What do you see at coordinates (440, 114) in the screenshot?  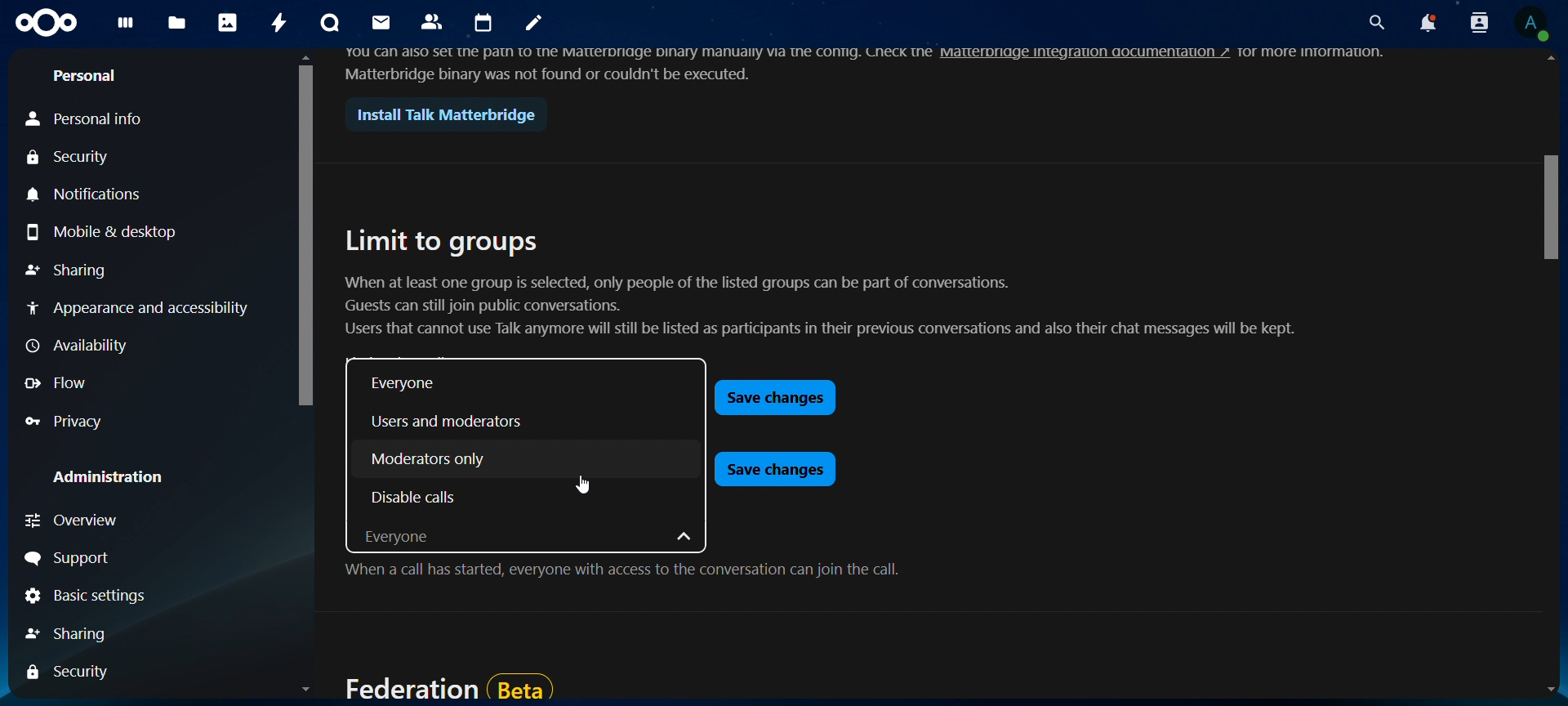 I see `Install Talk Matterbridge` at bounding box center [440, 114].